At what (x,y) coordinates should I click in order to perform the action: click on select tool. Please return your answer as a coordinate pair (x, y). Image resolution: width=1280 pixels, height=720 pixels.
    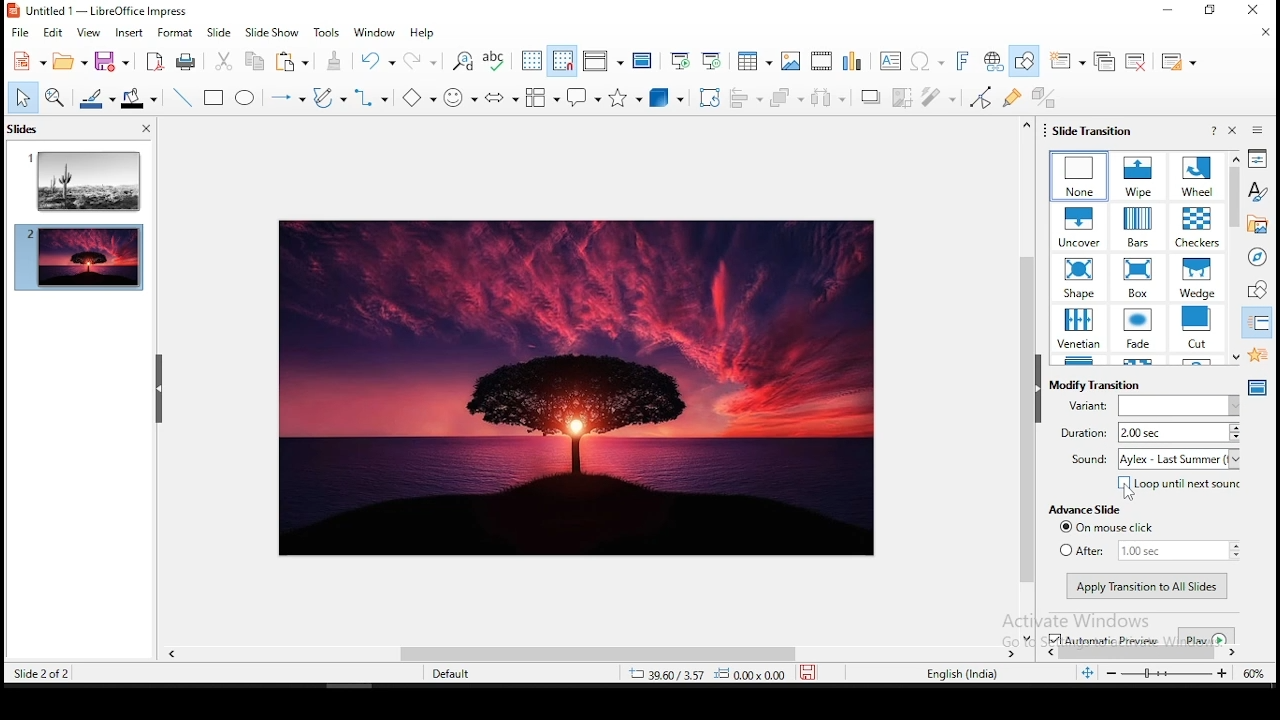
    Looking at the image, I should click on (24, 99).